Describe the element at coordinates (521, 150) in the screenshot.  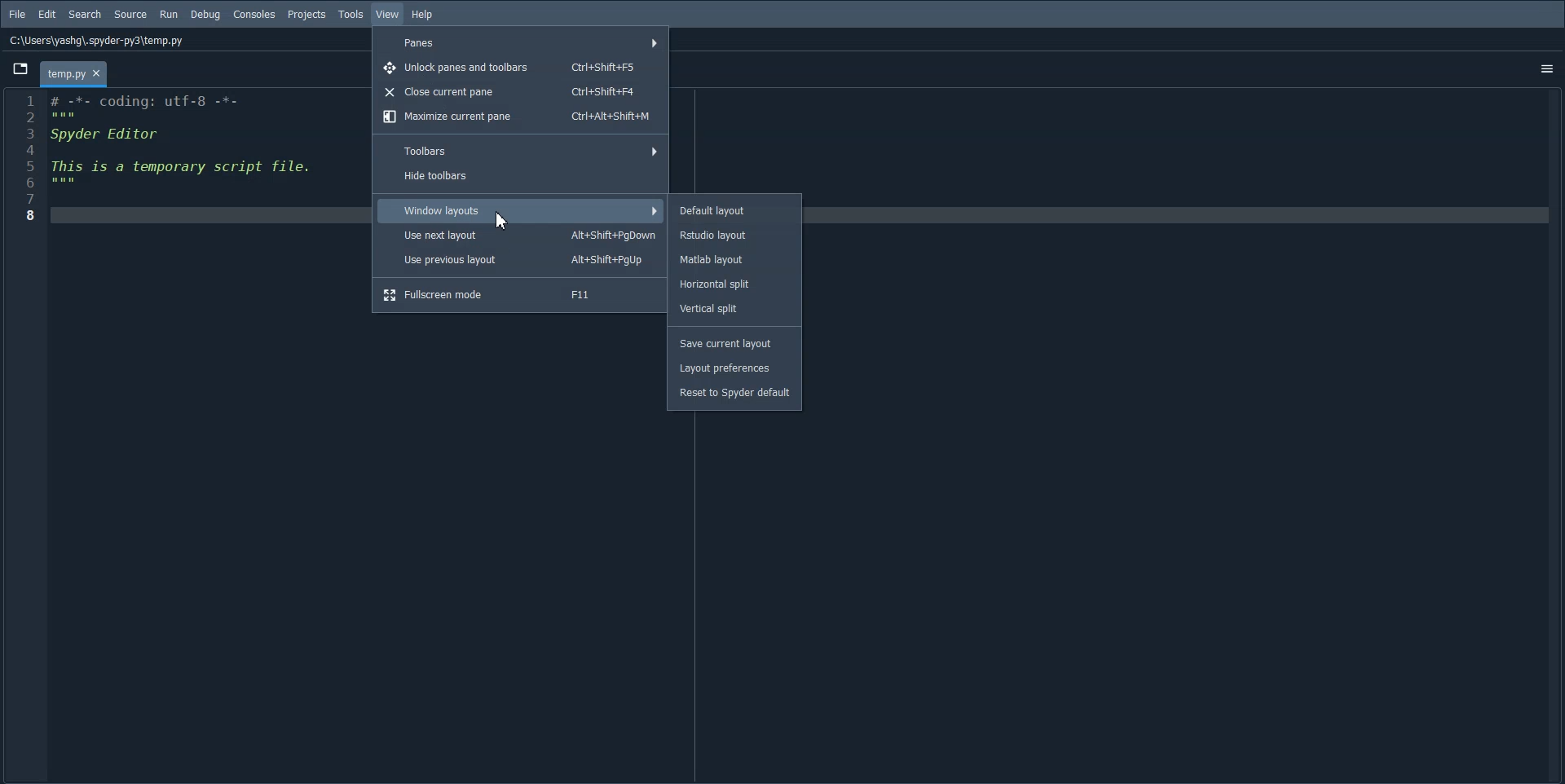
I see `Toolbars` at that location.